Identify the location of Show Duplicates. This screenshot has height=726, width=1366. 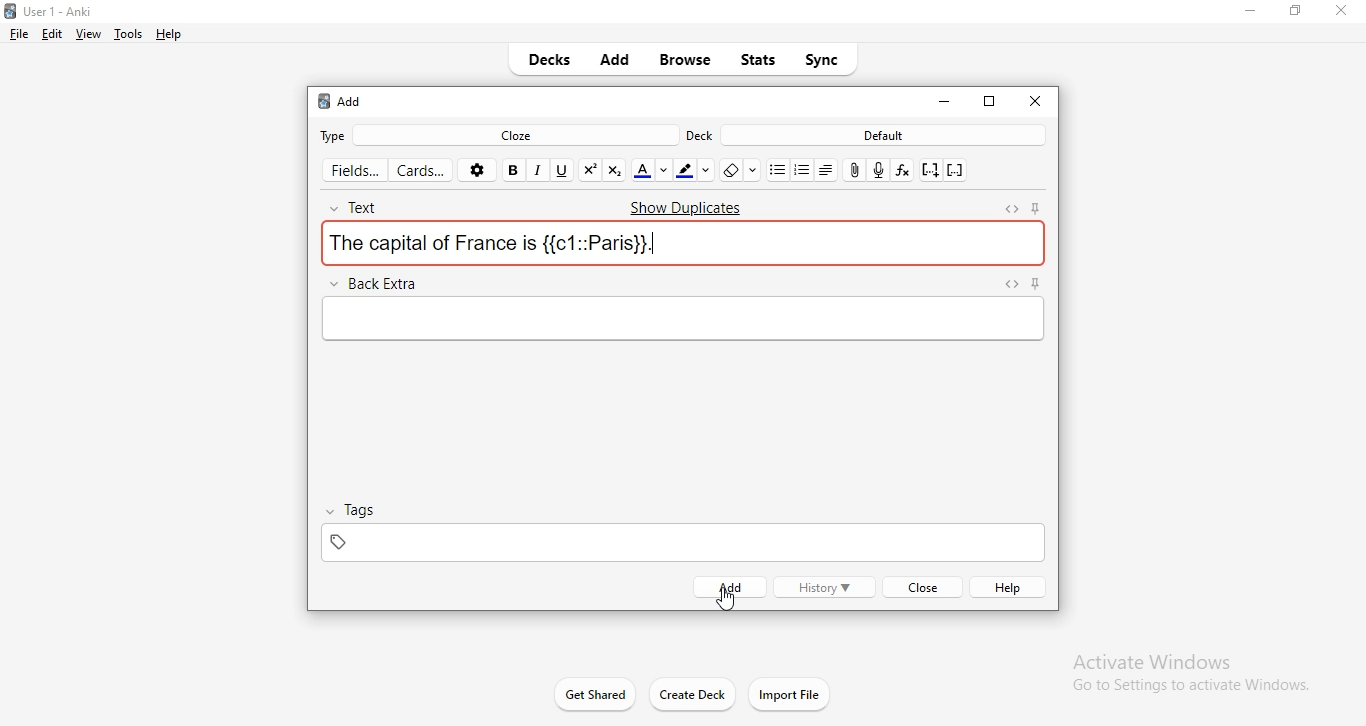
(682, 206).